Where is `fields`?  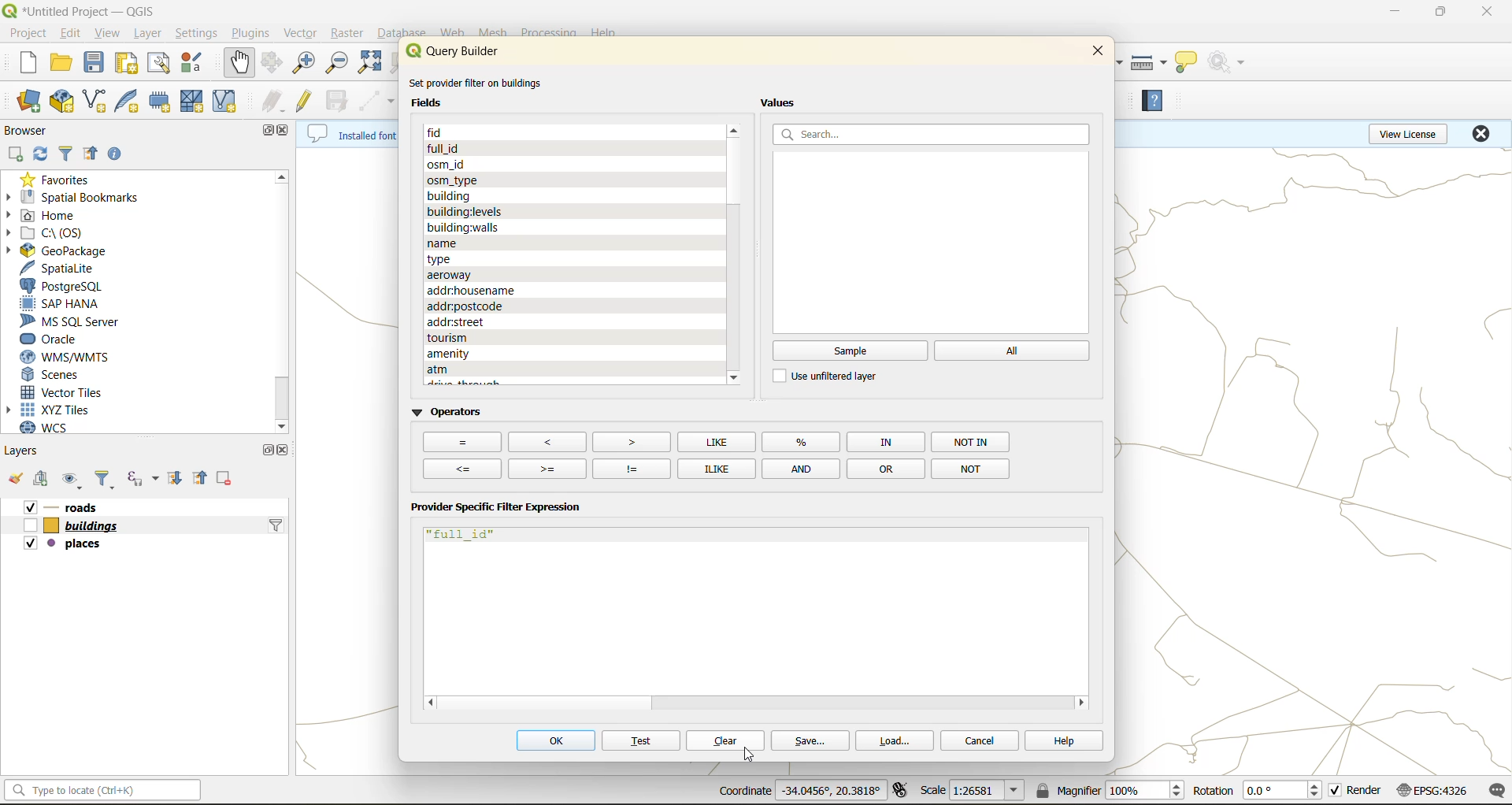
fields is located at coordinates (448, 162).